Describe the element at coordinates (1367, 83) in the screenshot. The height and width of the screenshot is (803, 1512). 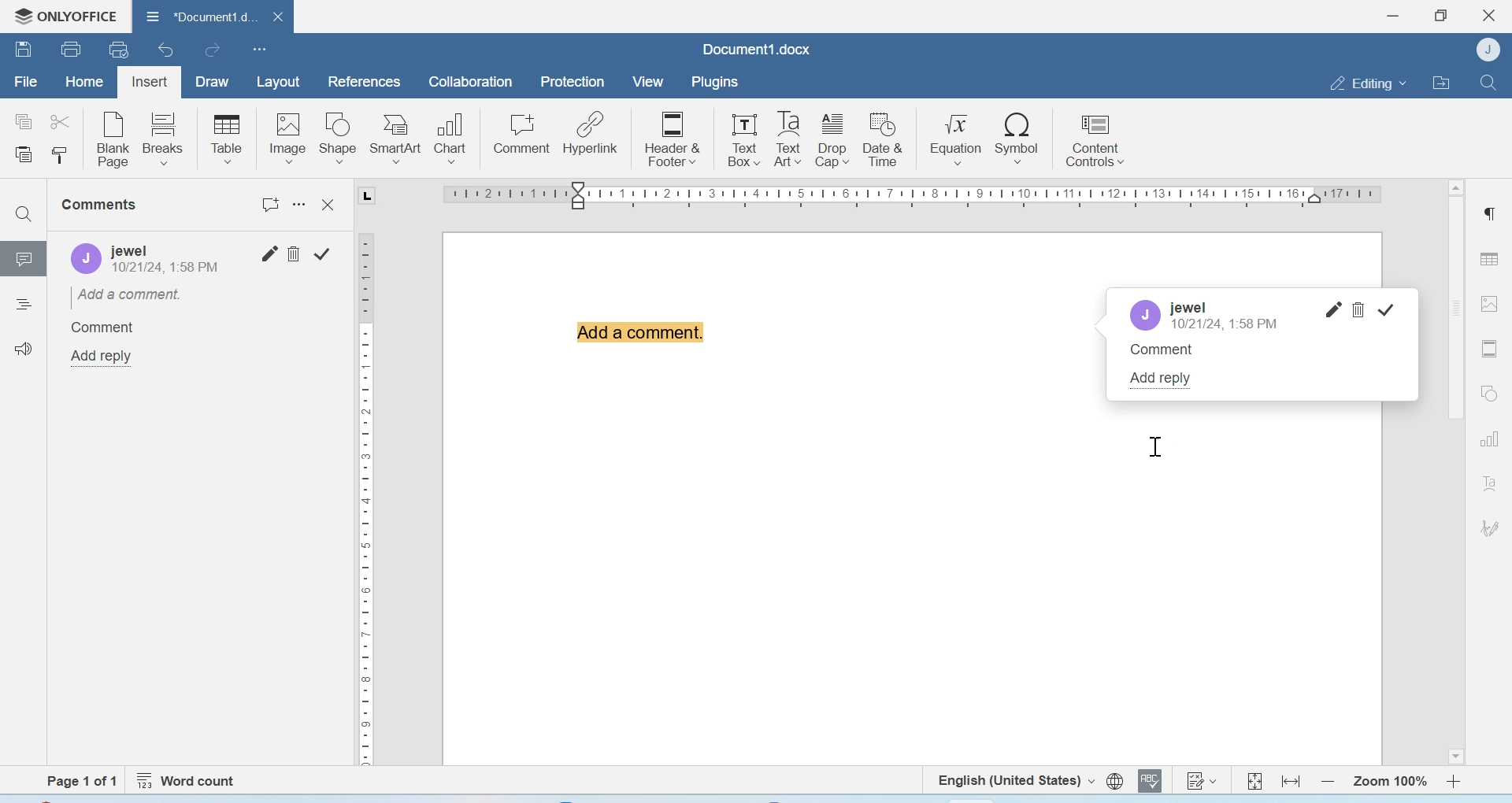
I see `Editing` at that location.